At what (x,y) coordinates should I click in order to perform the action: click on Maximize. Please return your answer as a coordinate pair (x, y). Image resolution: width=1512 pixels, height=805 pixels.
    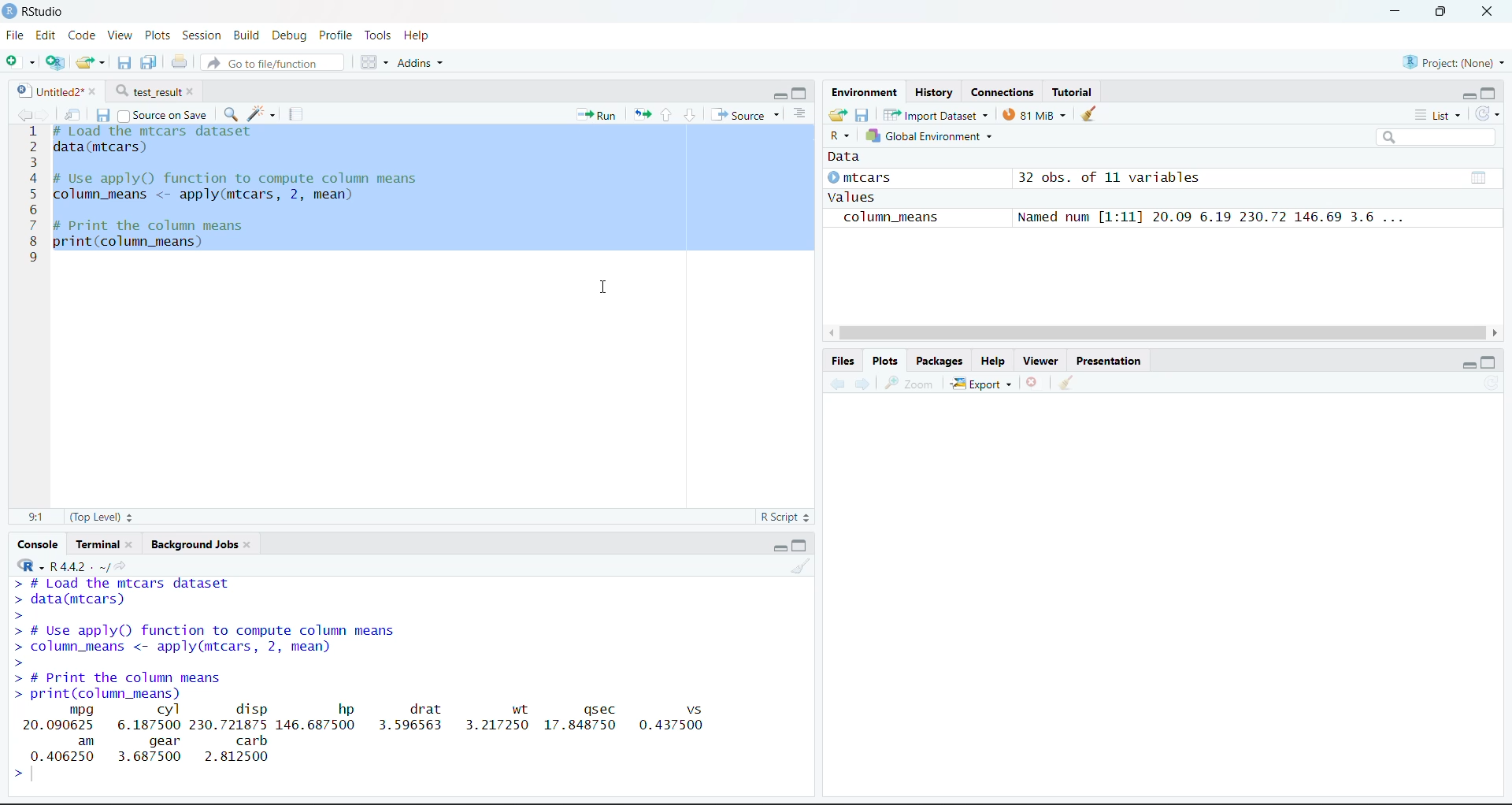
    Looking at the image, I should click on (799, 93).